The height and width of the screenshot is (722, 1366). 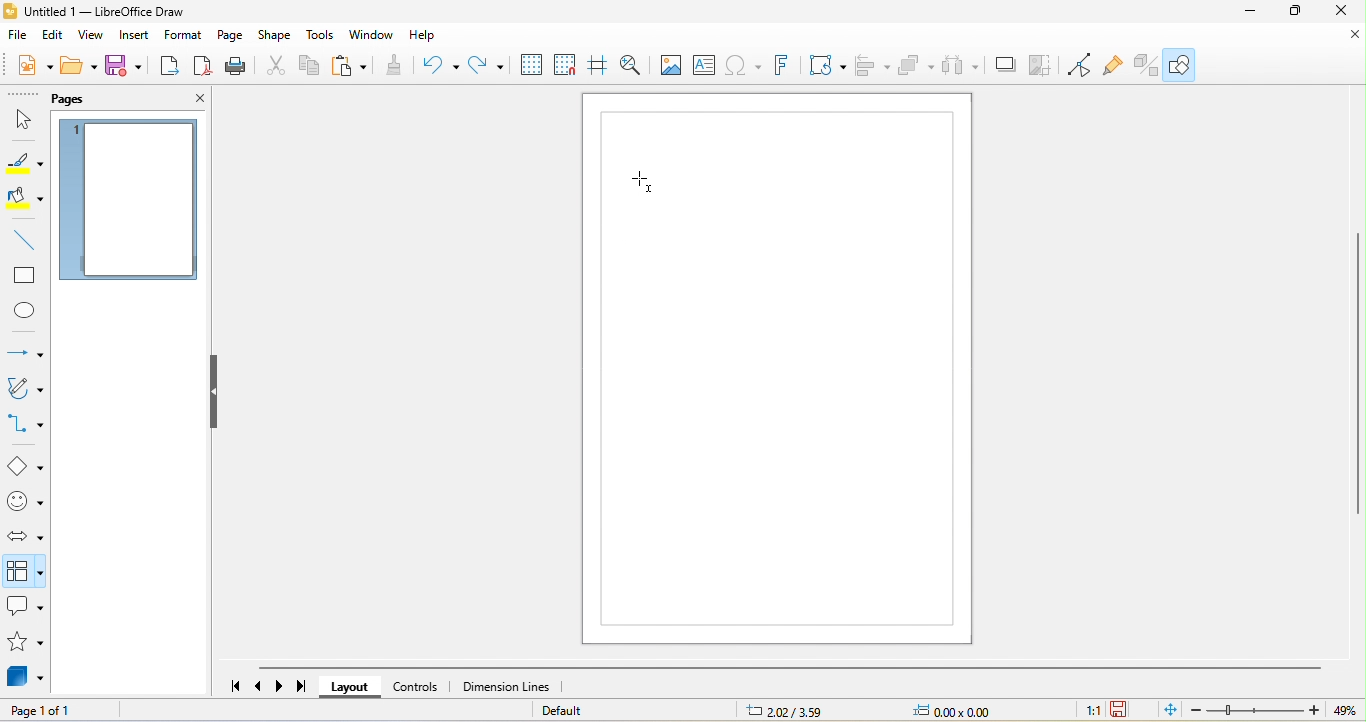 What do you see at coordinates (1343, 15) in the screenshot?
I see `close` at bounding box center [1343, 15].